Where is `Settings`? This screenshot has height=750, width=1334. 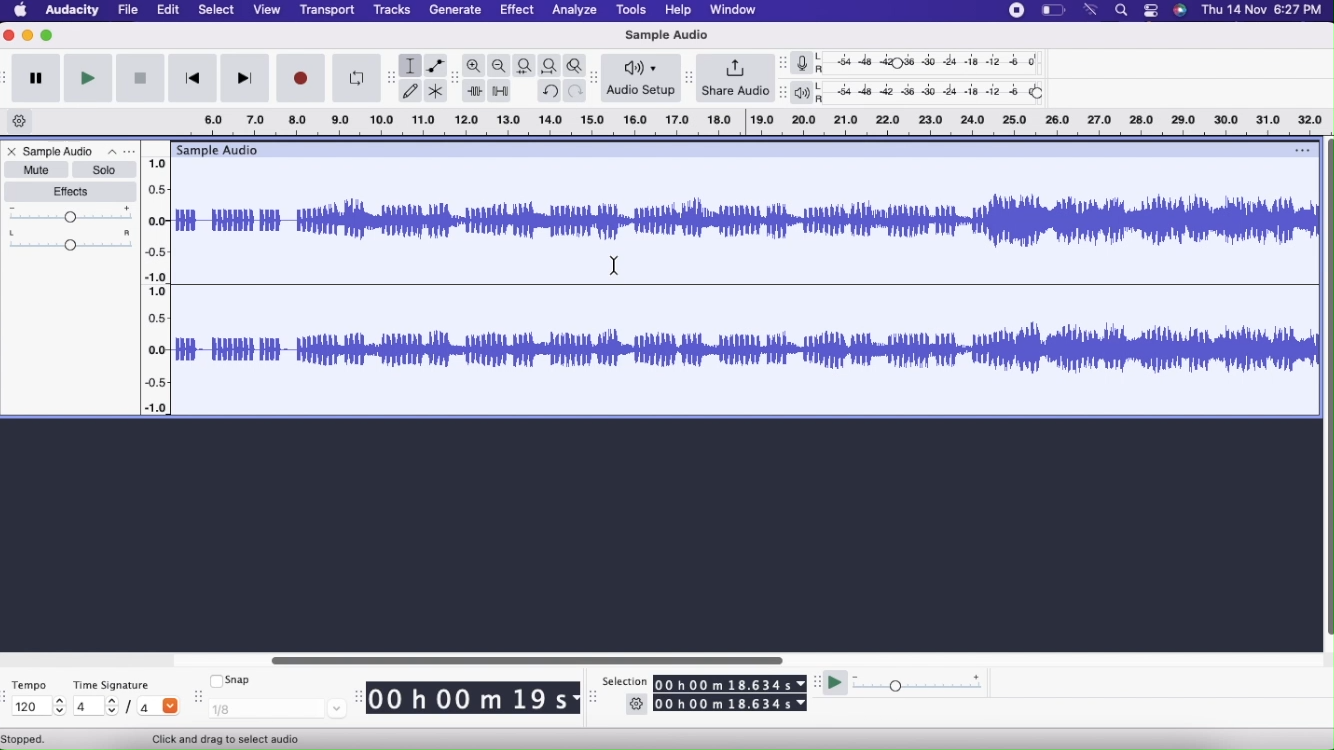 Settings is located at coordinates (636, 702).